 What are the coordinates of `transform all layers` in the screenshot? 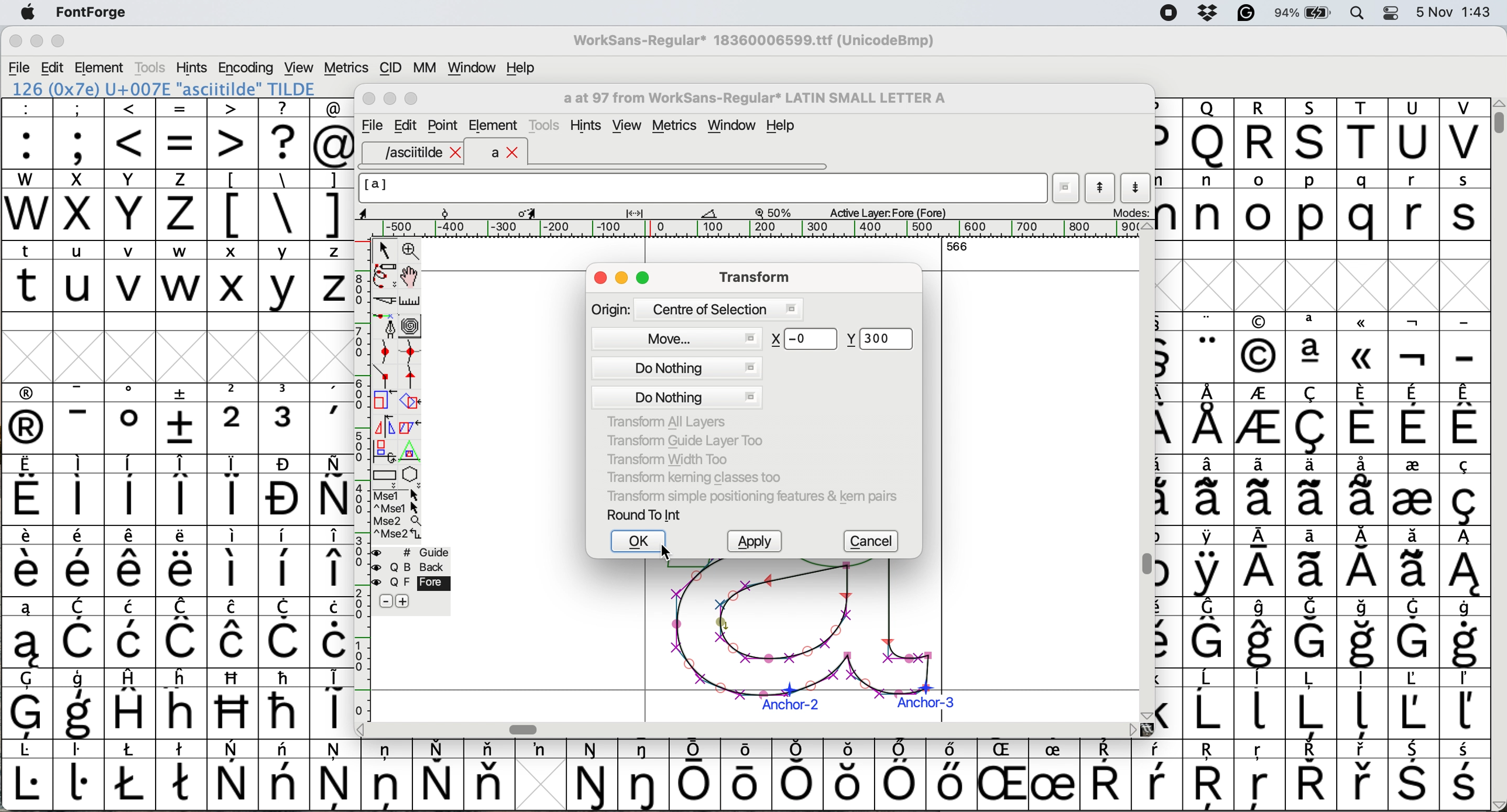 It's located at (670, 422).